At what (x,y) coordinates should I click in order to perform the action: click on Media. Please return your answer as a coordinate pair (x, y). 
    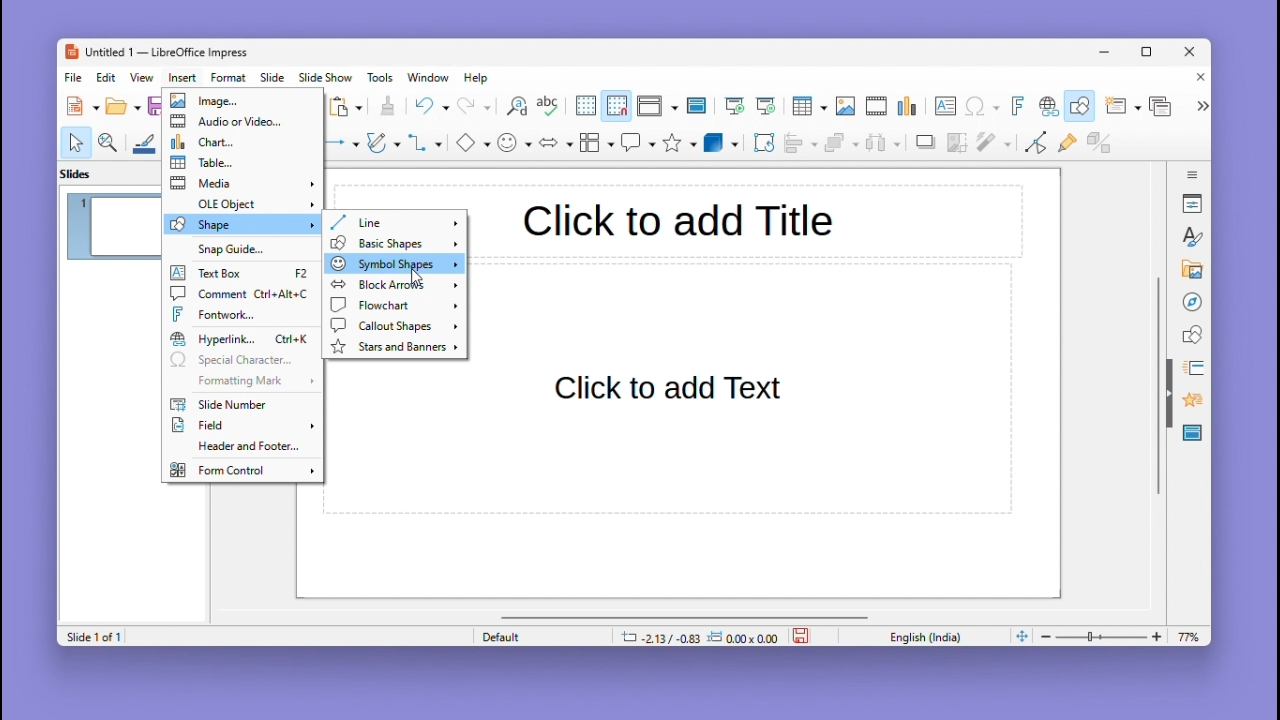
    Looking at the image, I should click on (242, 183).